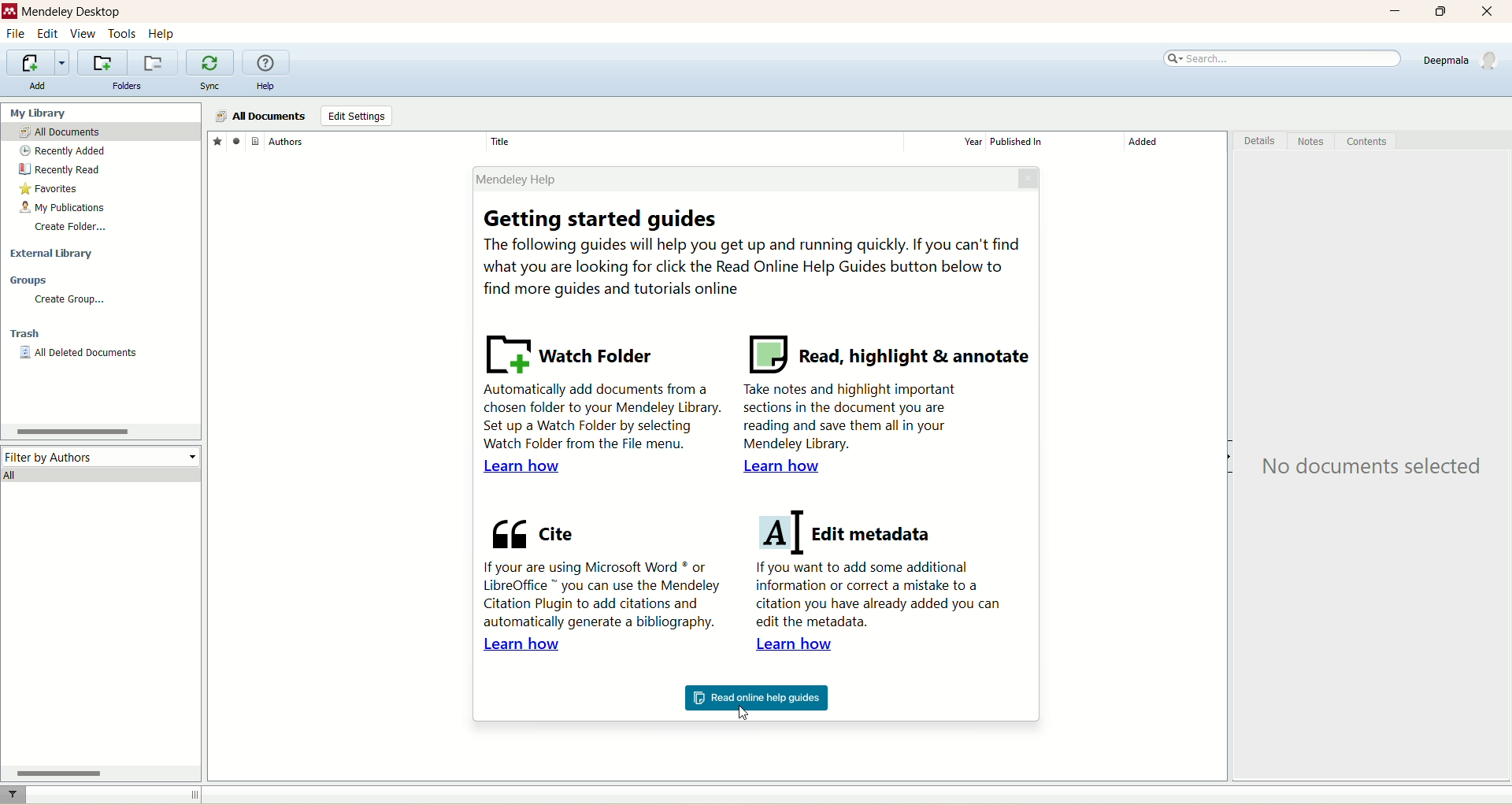 This screenshot has width=1512, height=805. What do you see at coordinates (39, 64) in the screenshot?
I see `import` at bounding box center [39, 64].